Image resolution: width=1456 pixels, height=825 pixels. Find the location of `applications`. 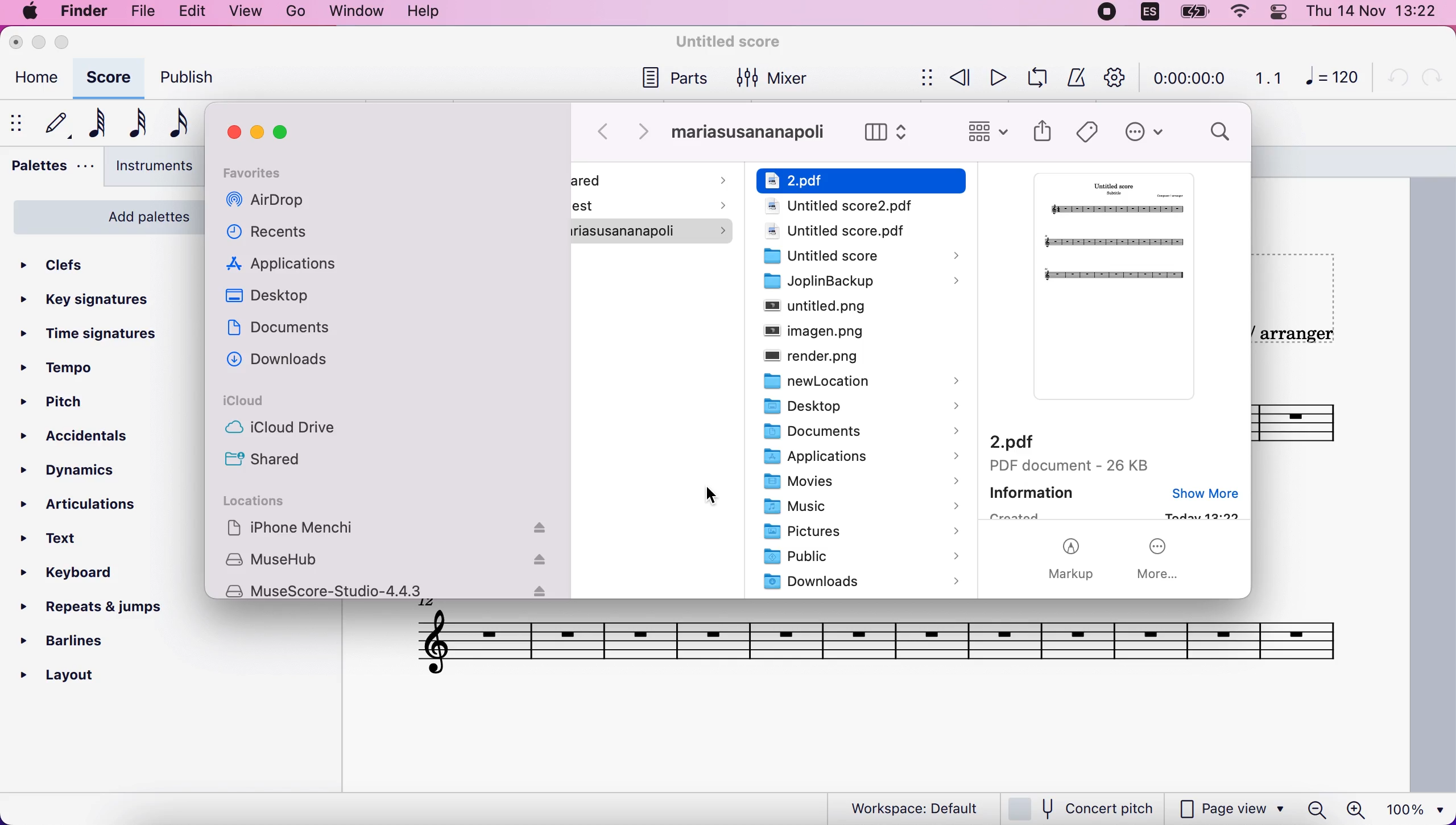

applications is located at coordinates (293, 265).